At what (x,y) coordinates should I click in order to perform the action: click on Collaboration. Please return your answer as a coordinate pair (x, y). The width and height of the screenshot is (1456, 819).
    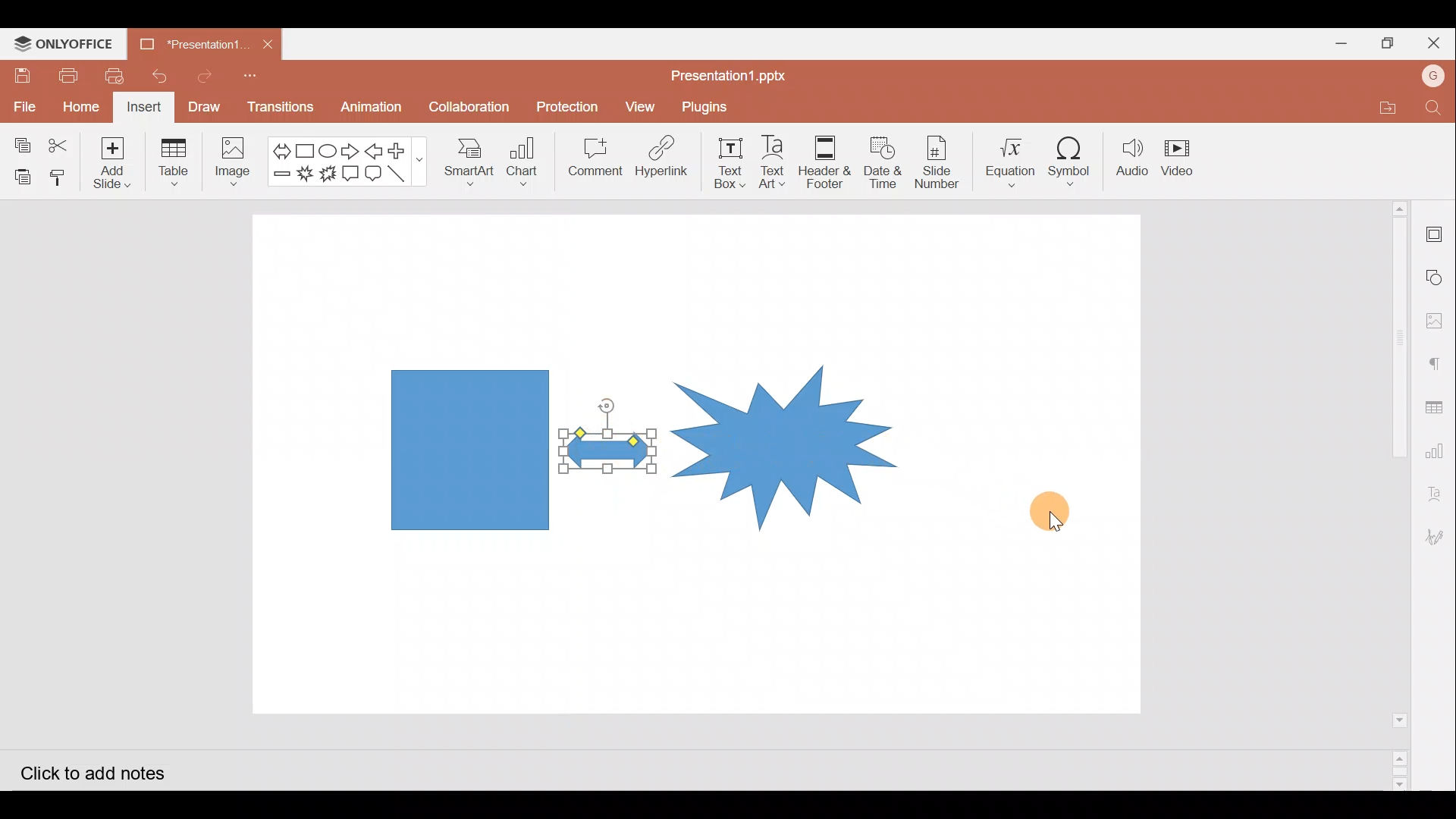
    Looking at the image, I should click on (469, 102).